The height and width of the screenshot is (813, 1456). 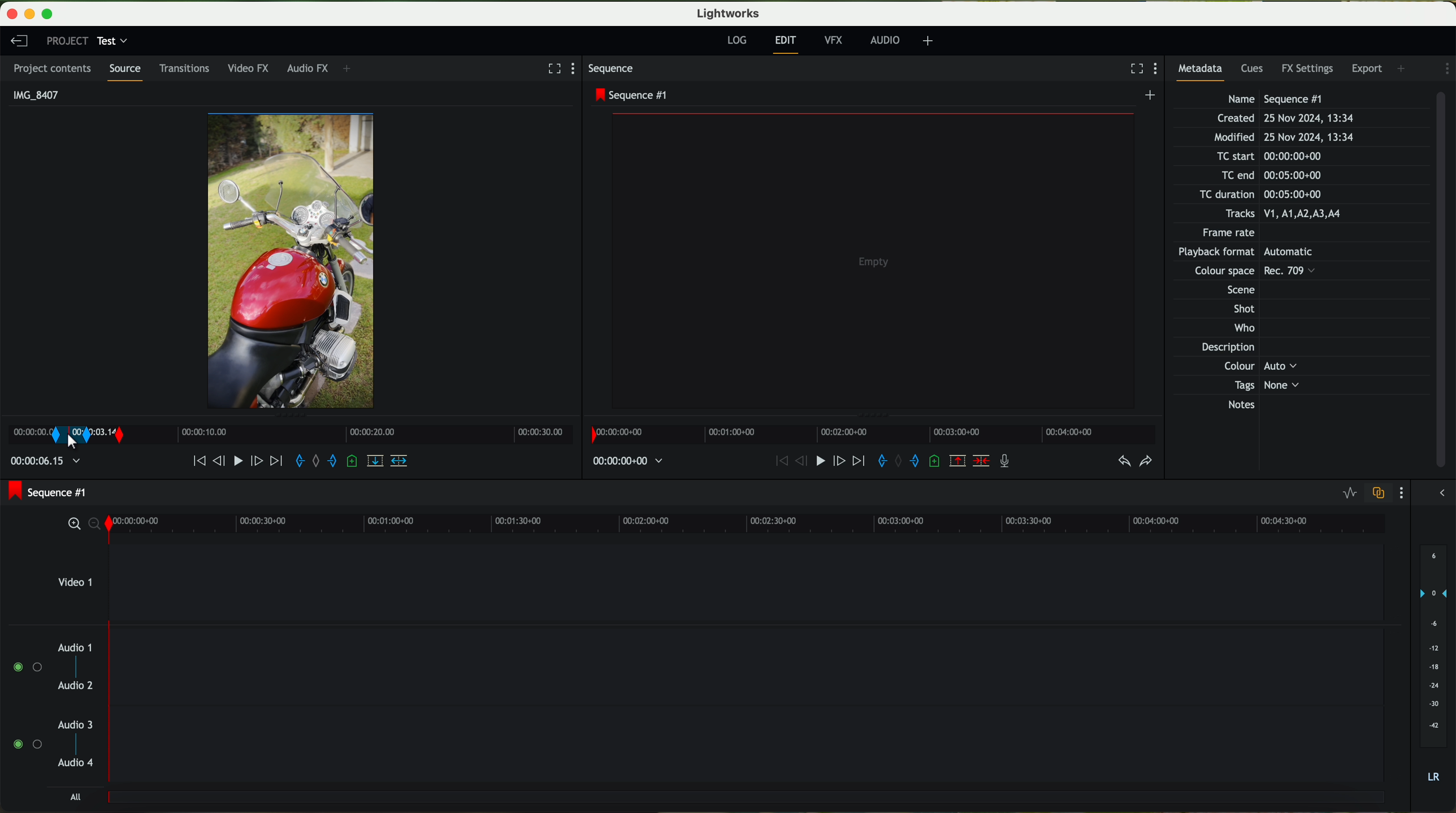 I want to click on scroll bar, so click(x=1446, y=281).